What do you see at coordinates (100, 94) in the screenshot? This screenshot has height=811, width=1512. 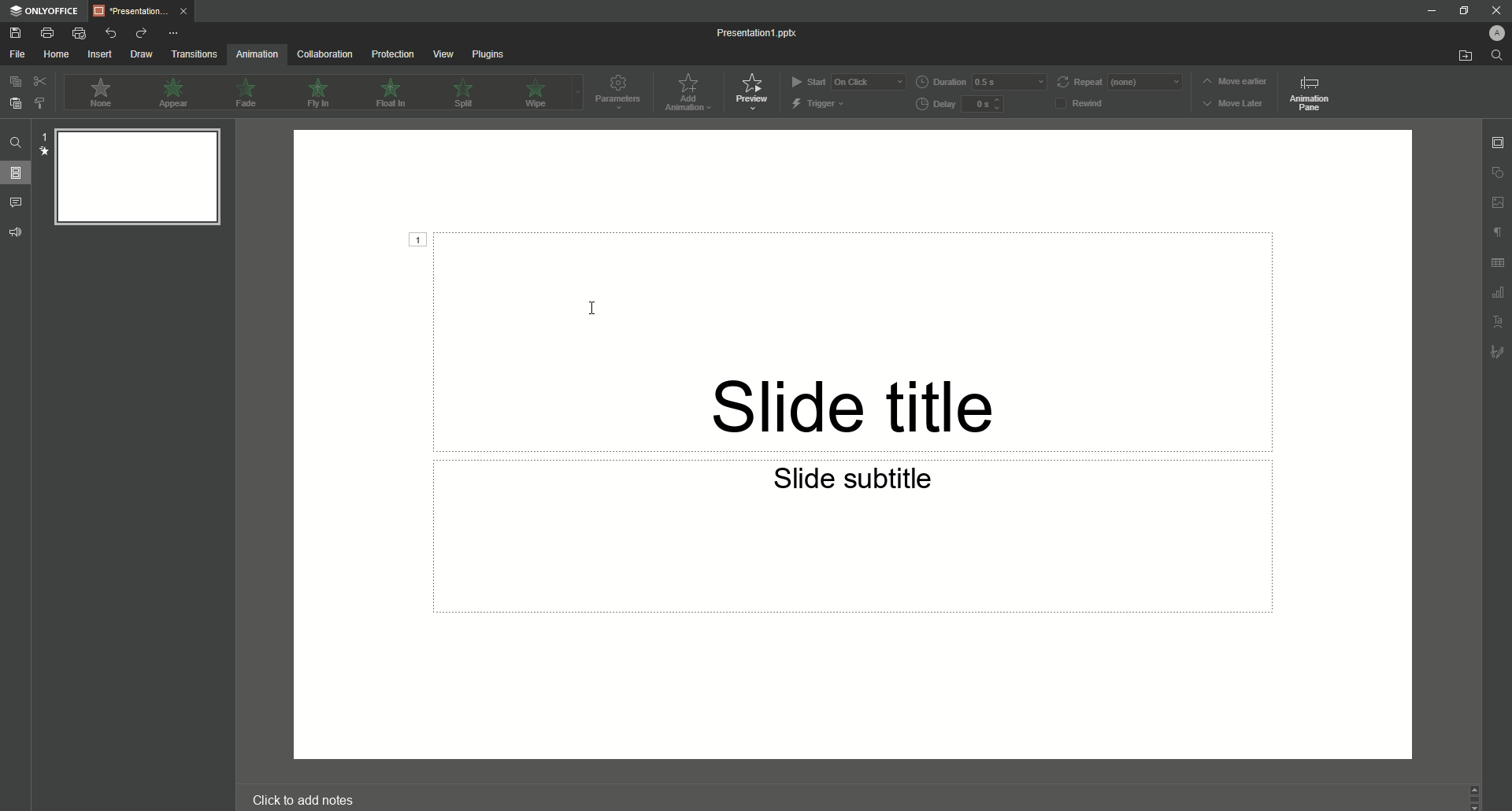 I see `None` at bounding box center [100, 94].